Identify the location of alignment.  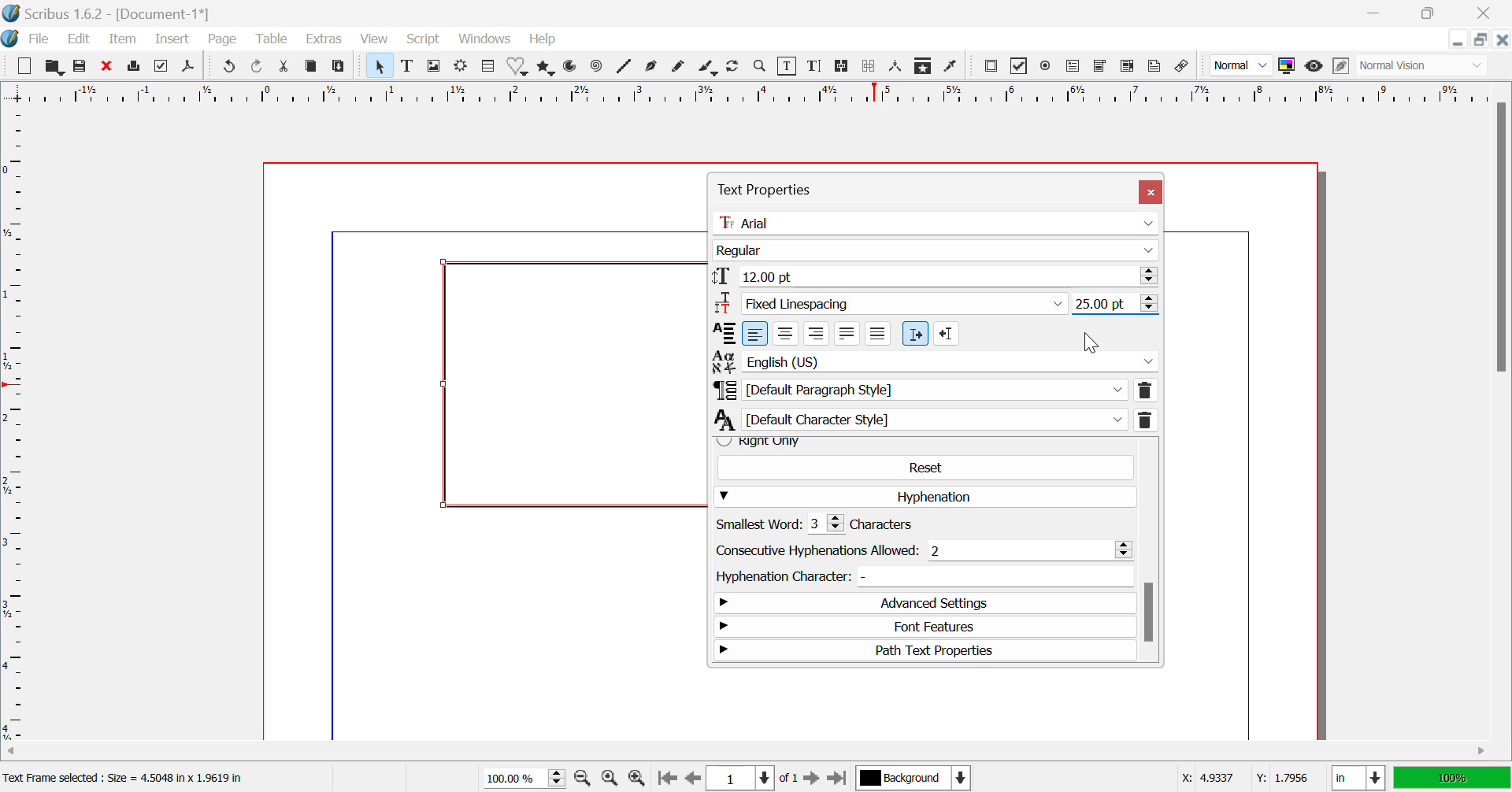
(722, 333).